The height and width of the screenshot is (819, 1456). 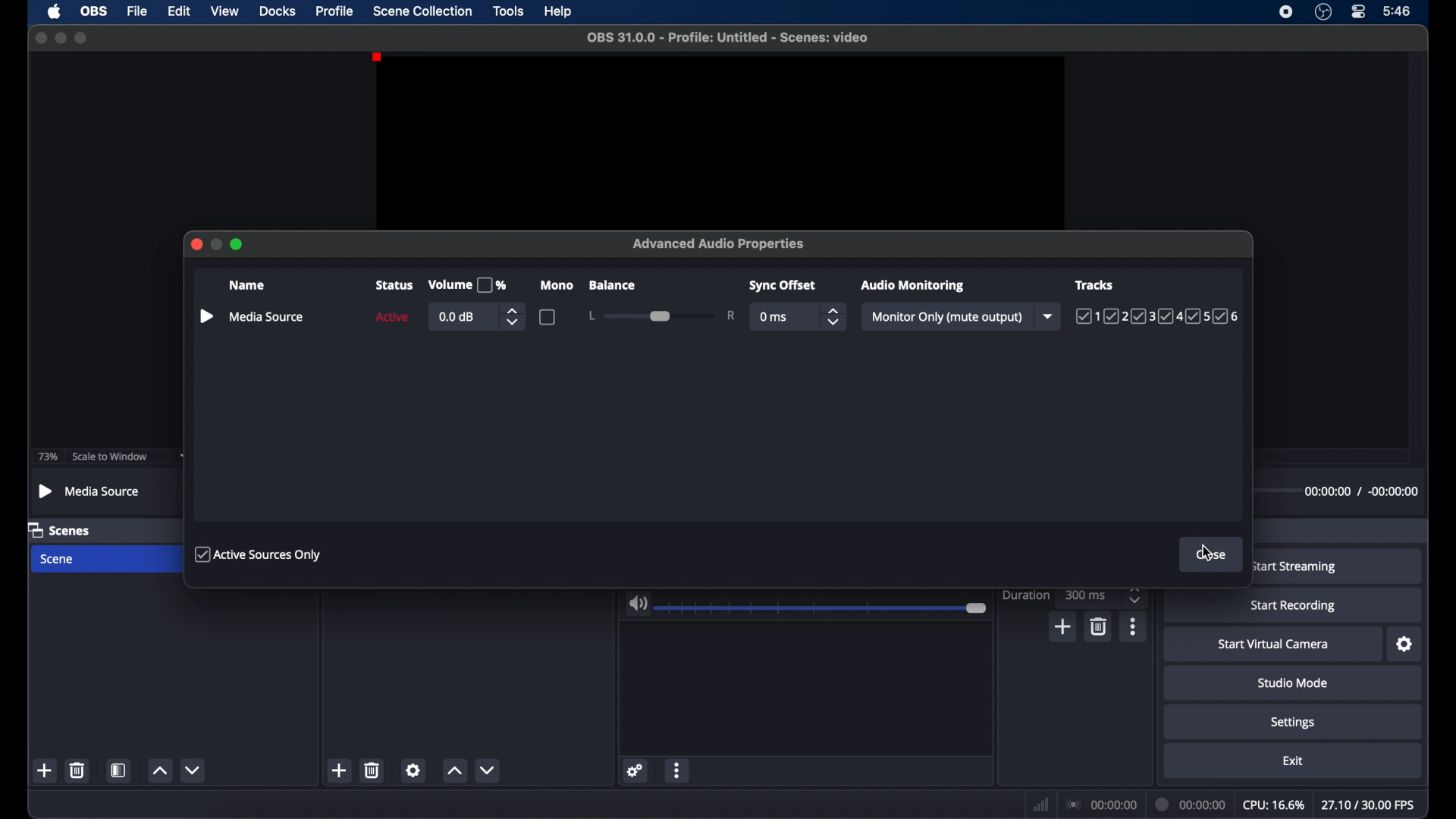 I want to click on edit, so click(x=178, y=11).